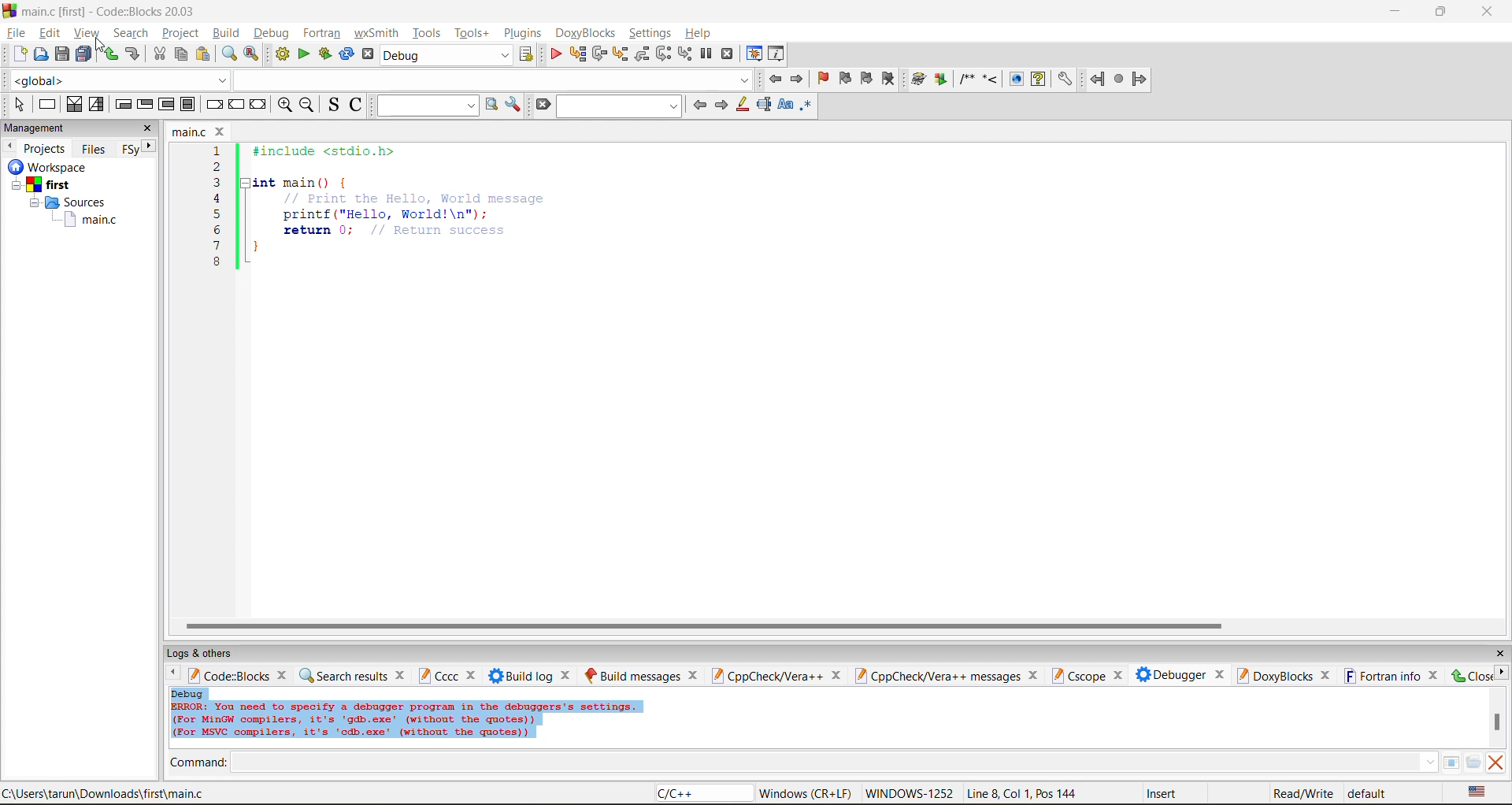 Image resolution: width=1512 pixels, height=805 pixels. I want to click on highlight, so click(743, 104).